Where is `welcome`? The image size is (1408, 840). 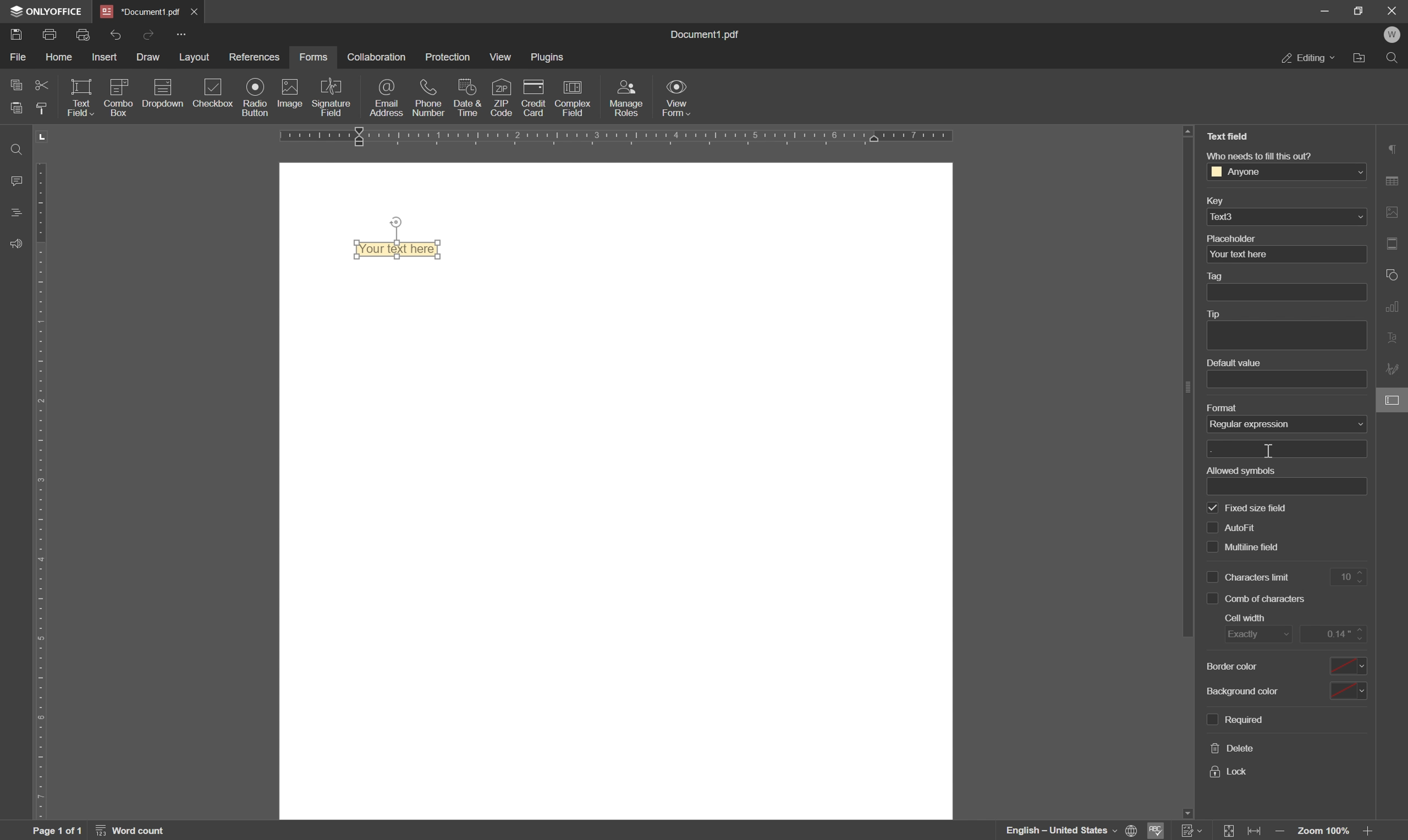
welcome is located at coordinates (1393, 35).